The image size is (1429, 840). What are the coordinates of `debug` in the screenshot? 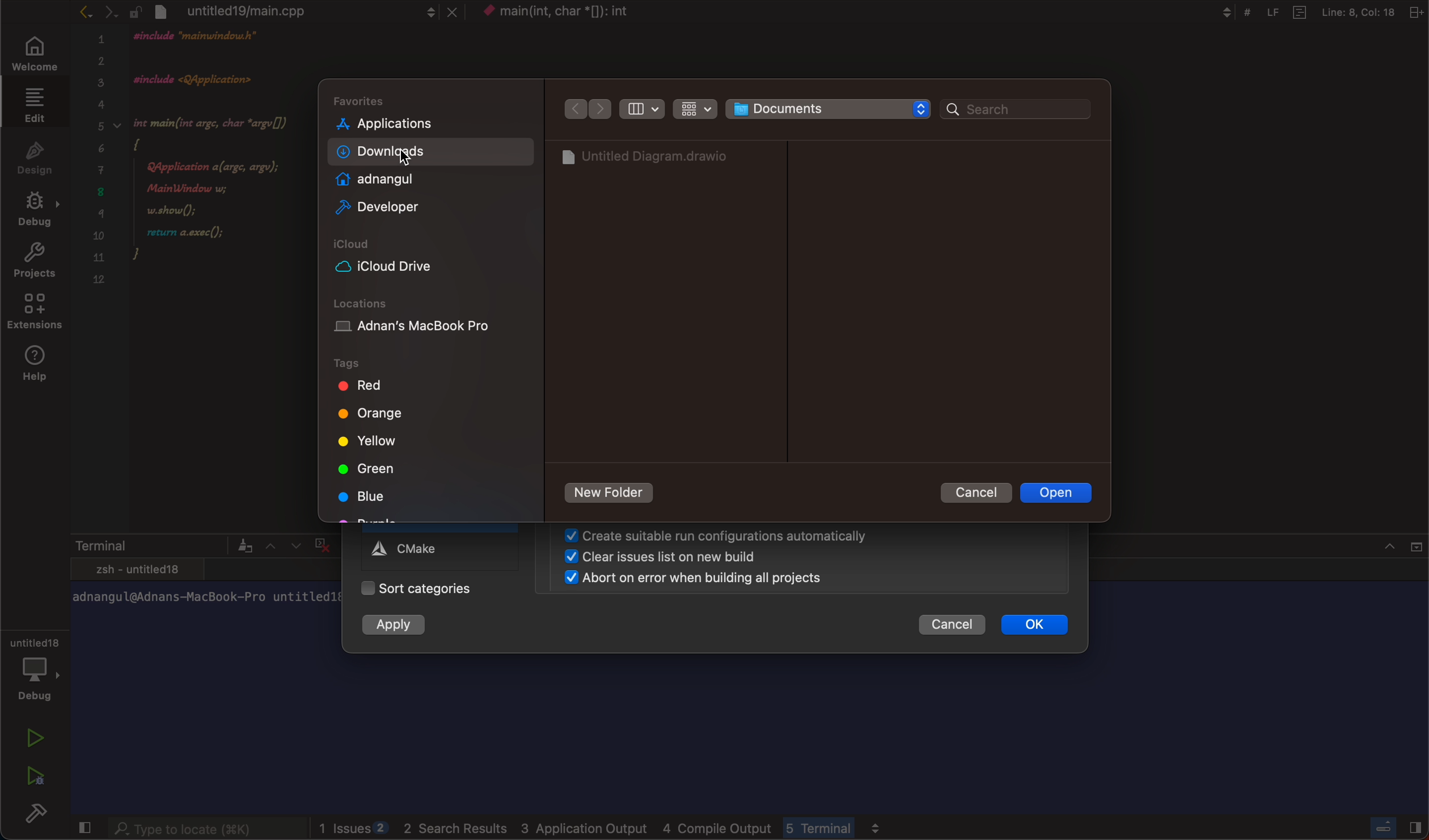 It's located at (39, 668).